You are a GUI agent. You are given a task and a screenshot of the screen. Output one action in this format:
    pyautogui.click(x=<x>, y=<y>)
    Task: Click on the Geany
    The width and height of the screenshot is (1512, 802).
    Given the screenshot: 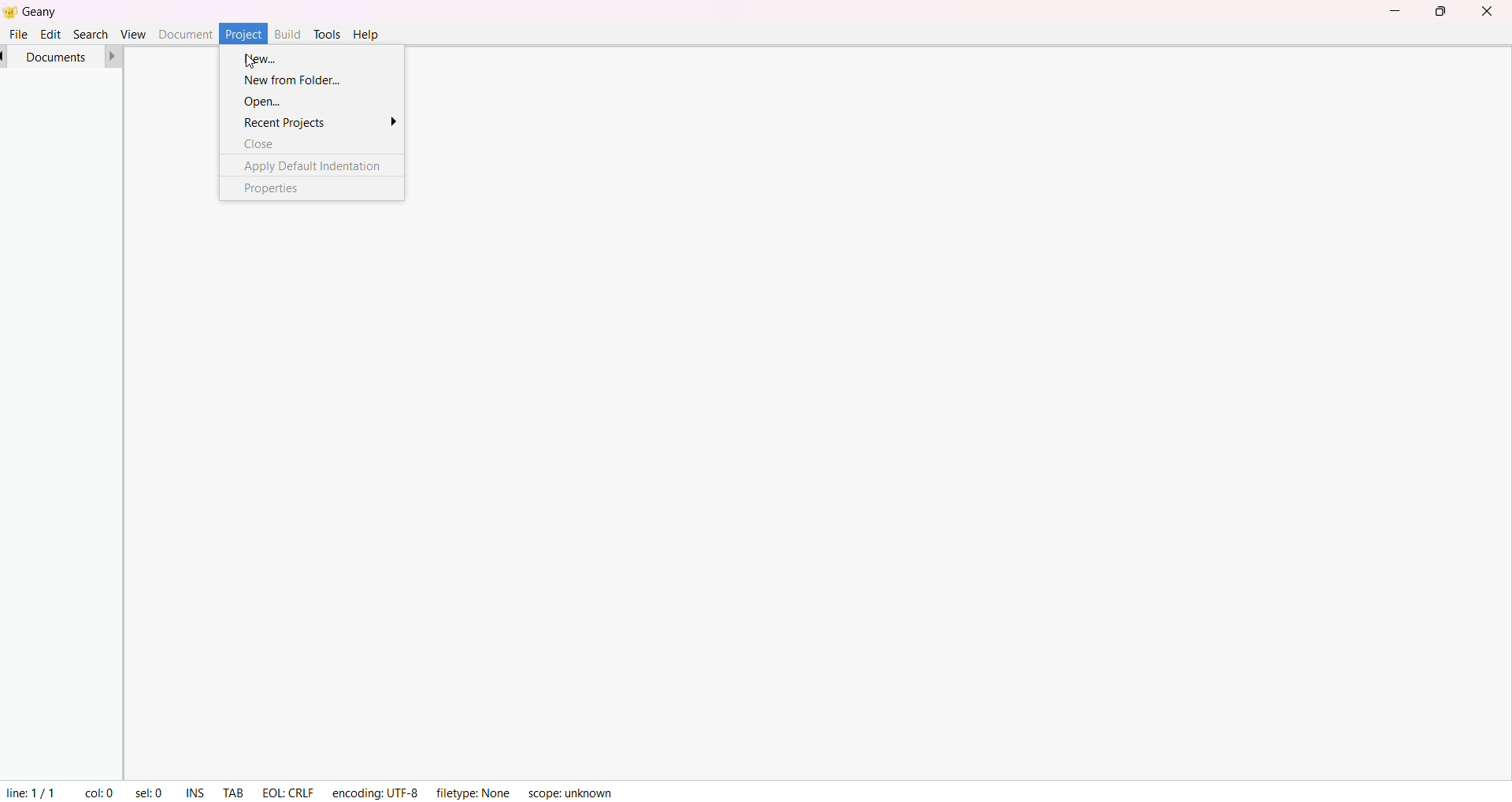 What is the action you would take?
    pyautogui.click(x=40, y=10)
    